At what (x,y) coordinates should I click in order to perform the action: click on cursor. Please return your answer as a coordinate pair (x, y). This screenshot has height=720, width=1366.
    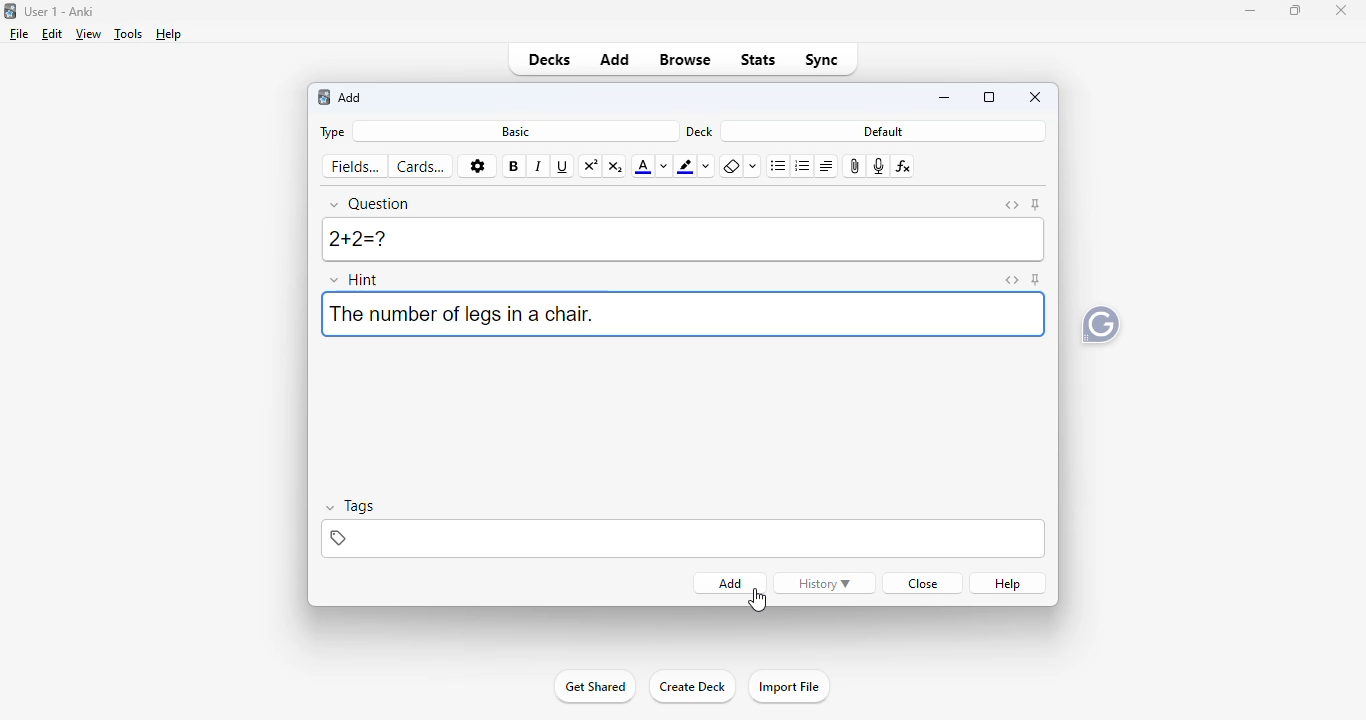
    Looking at the image, I should click on (759, 601).